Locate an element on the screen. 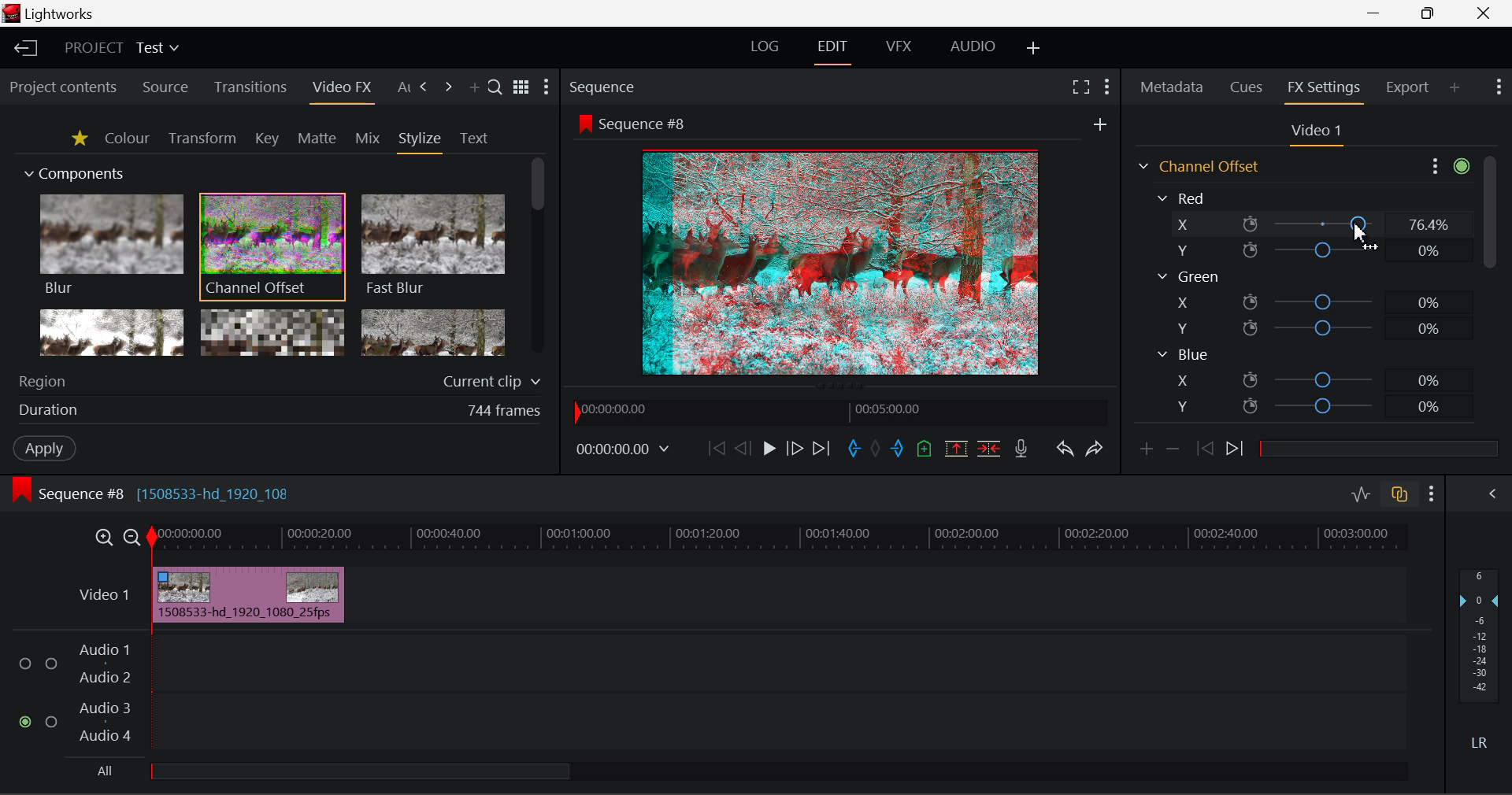 This screenshot has height=795, width=1512. Show Settings is located at coordinates (548, 87).